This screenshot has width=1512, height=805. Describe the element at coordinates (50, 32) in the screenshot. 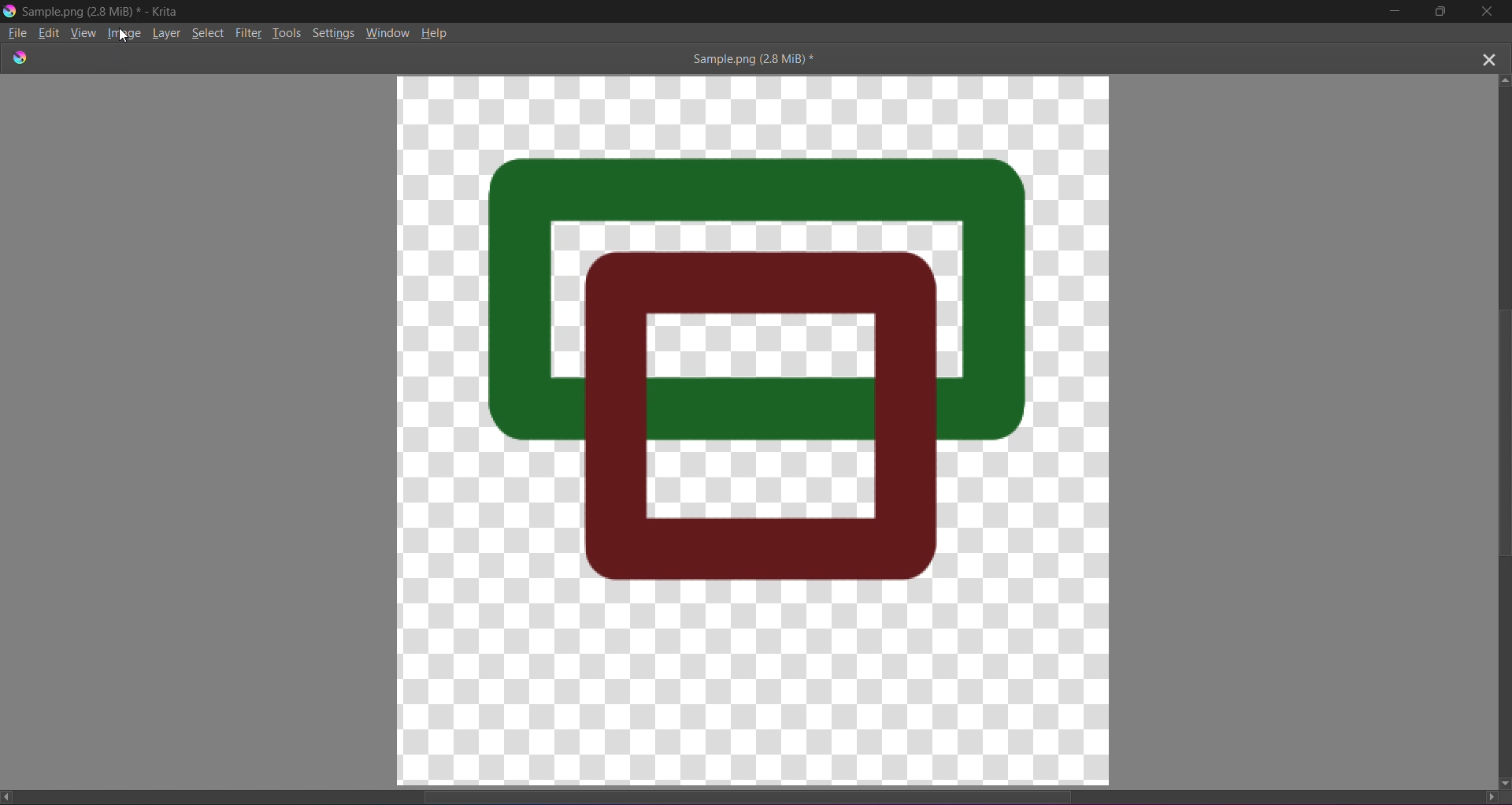

I see `Edit` at that location.